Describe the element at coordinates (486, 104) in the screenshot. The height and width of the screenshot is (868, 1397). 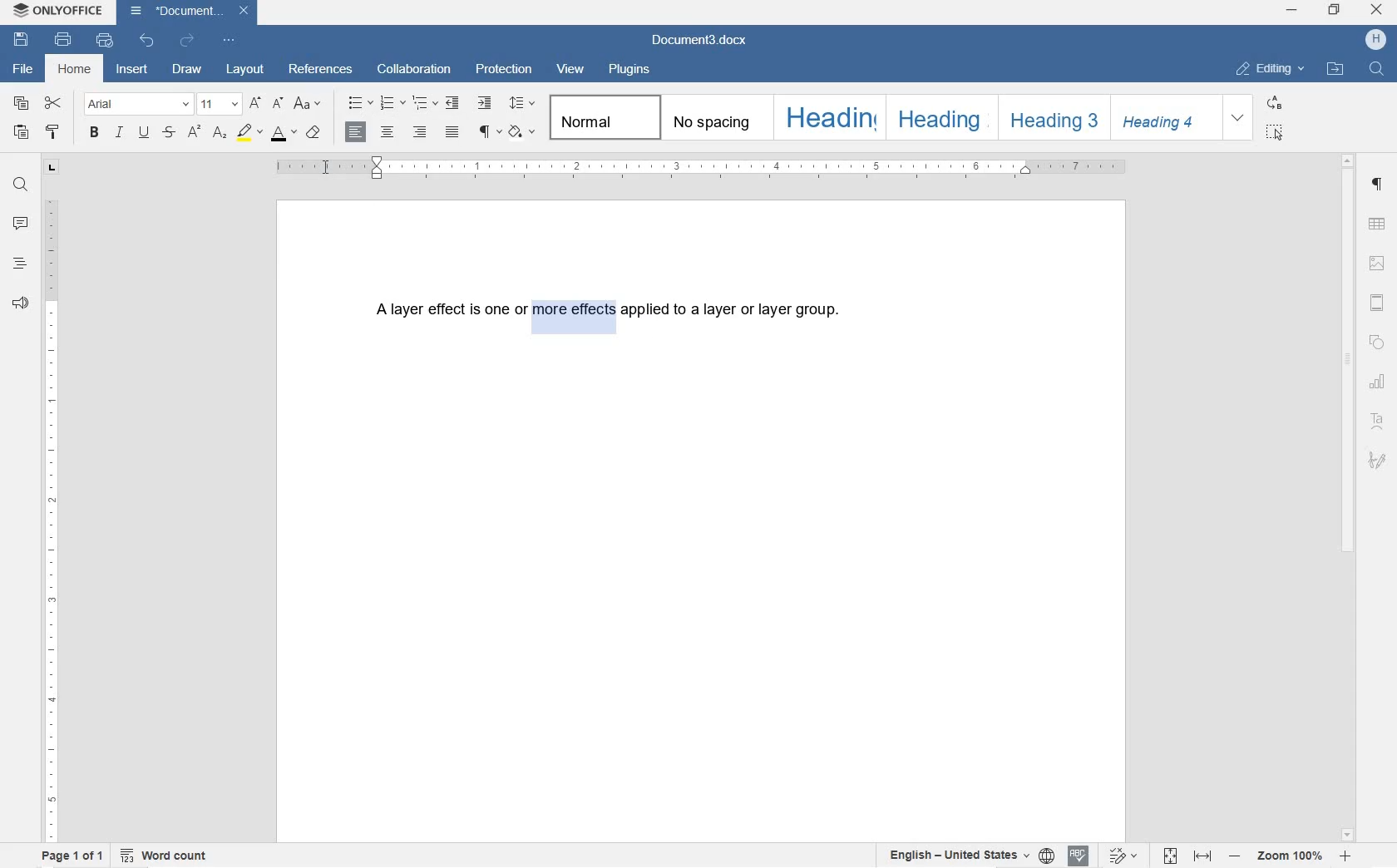
I see `INCREASE INDENT` at that location.